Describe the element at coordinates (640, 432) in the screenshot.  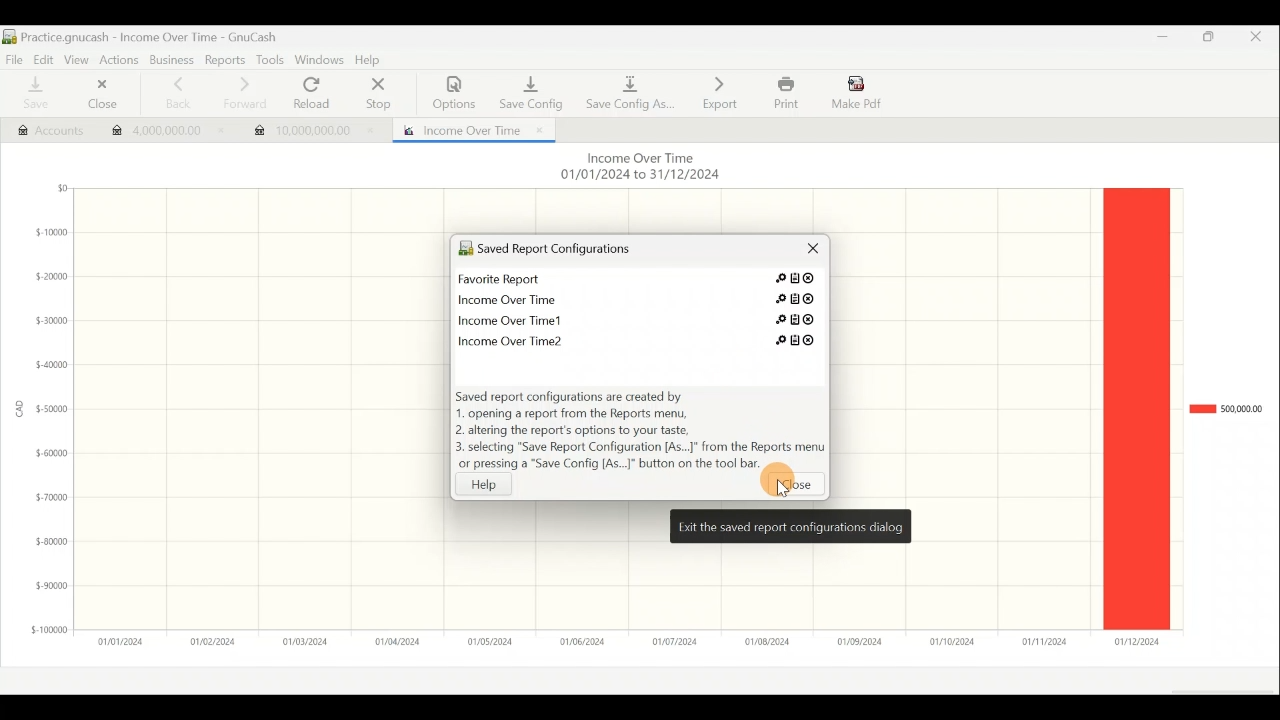
I see `Ways saved report configurations are created` at that location.